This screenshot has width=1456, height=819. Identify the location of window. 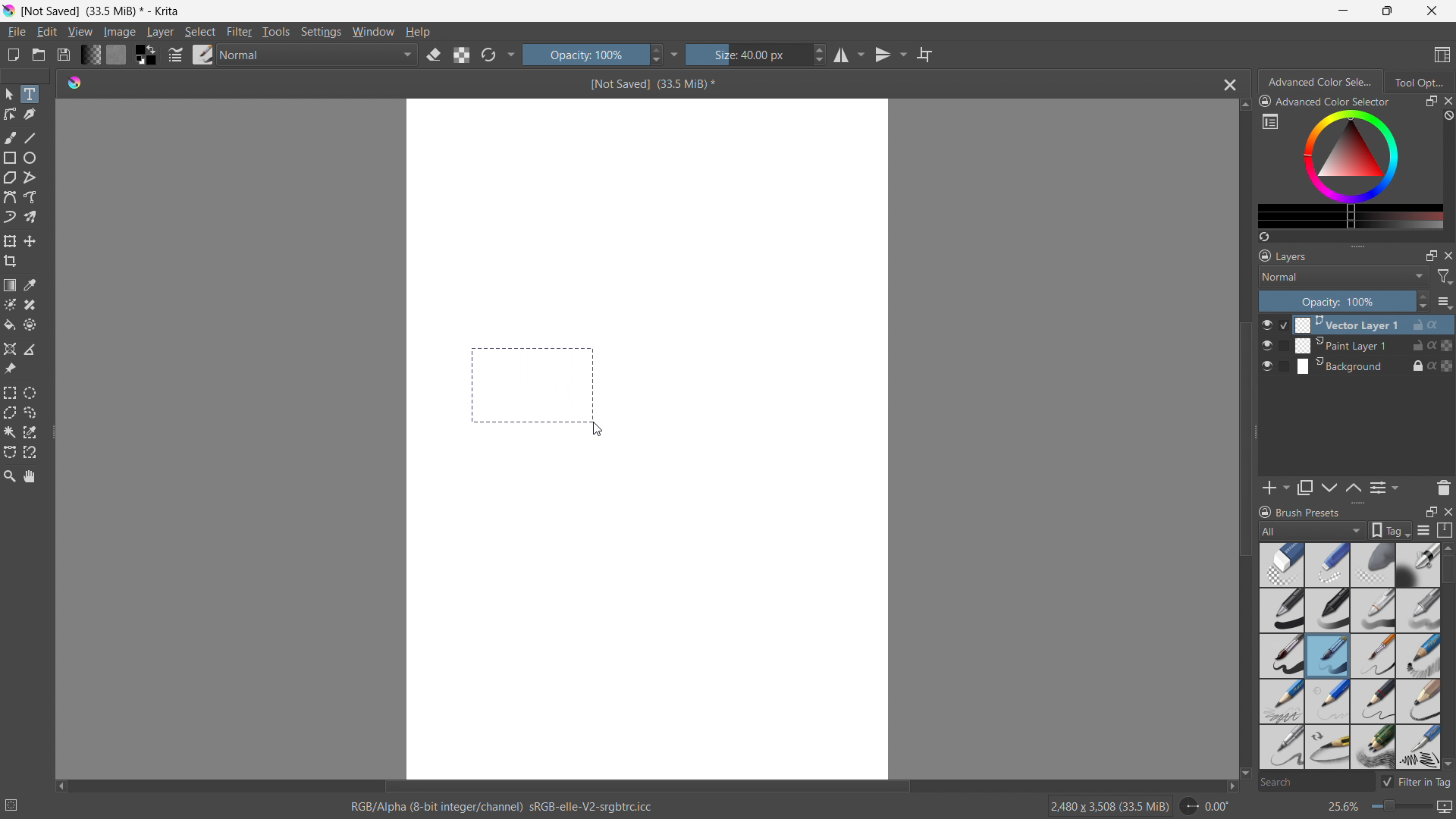
(373, 32).